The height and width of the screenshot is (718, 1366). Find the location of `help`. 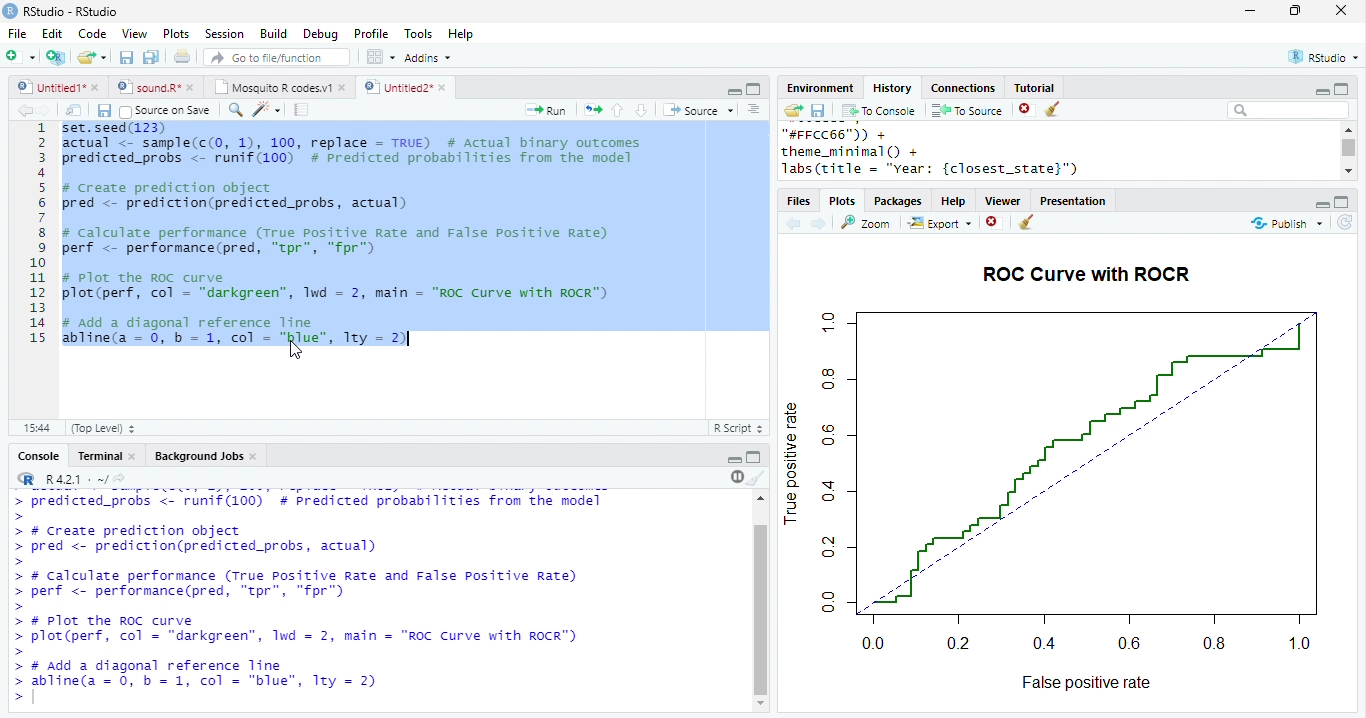

help is located at coordinates (954, 202).